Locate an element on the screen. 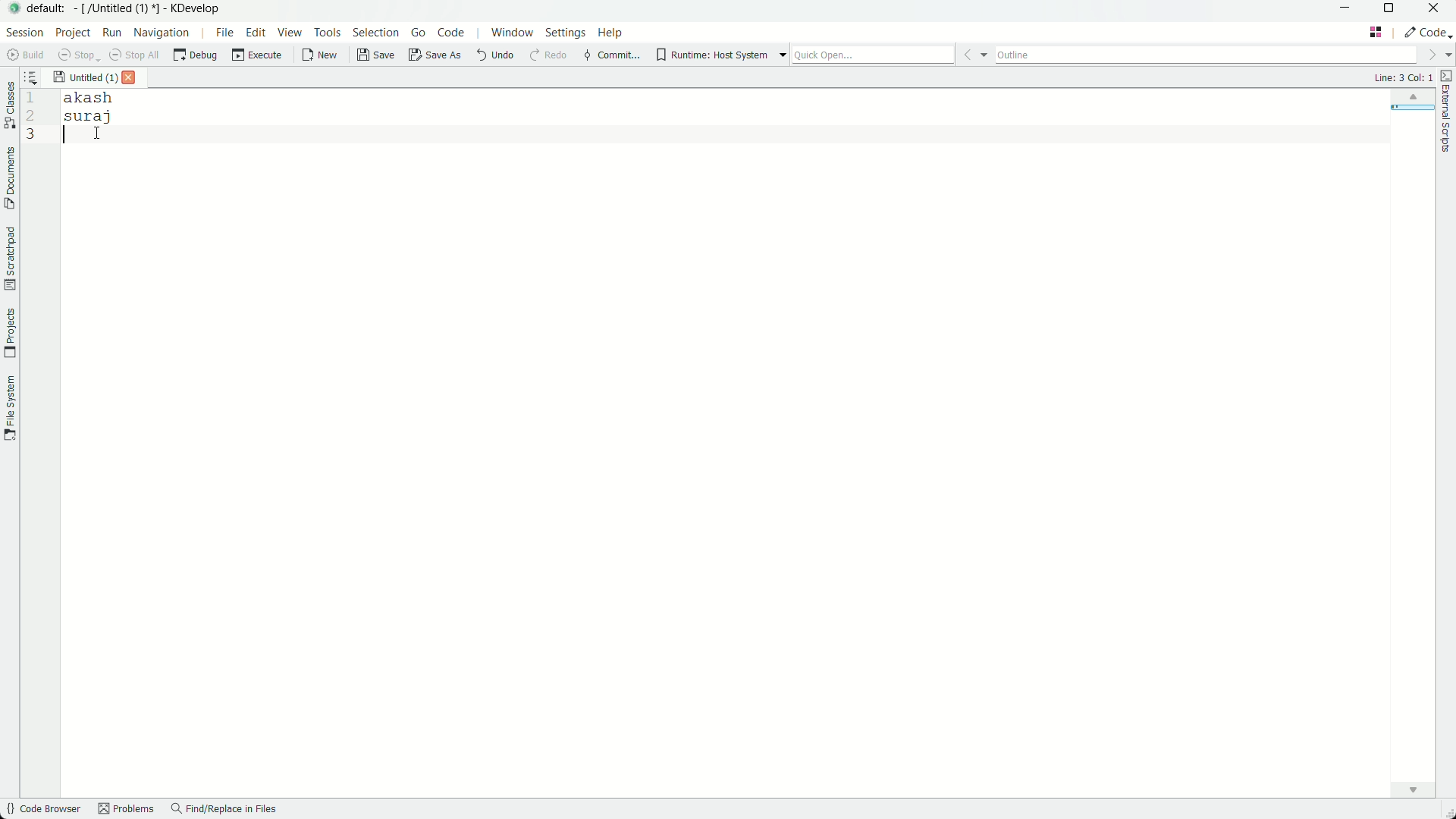  classes is located at coordinates (9, 107).